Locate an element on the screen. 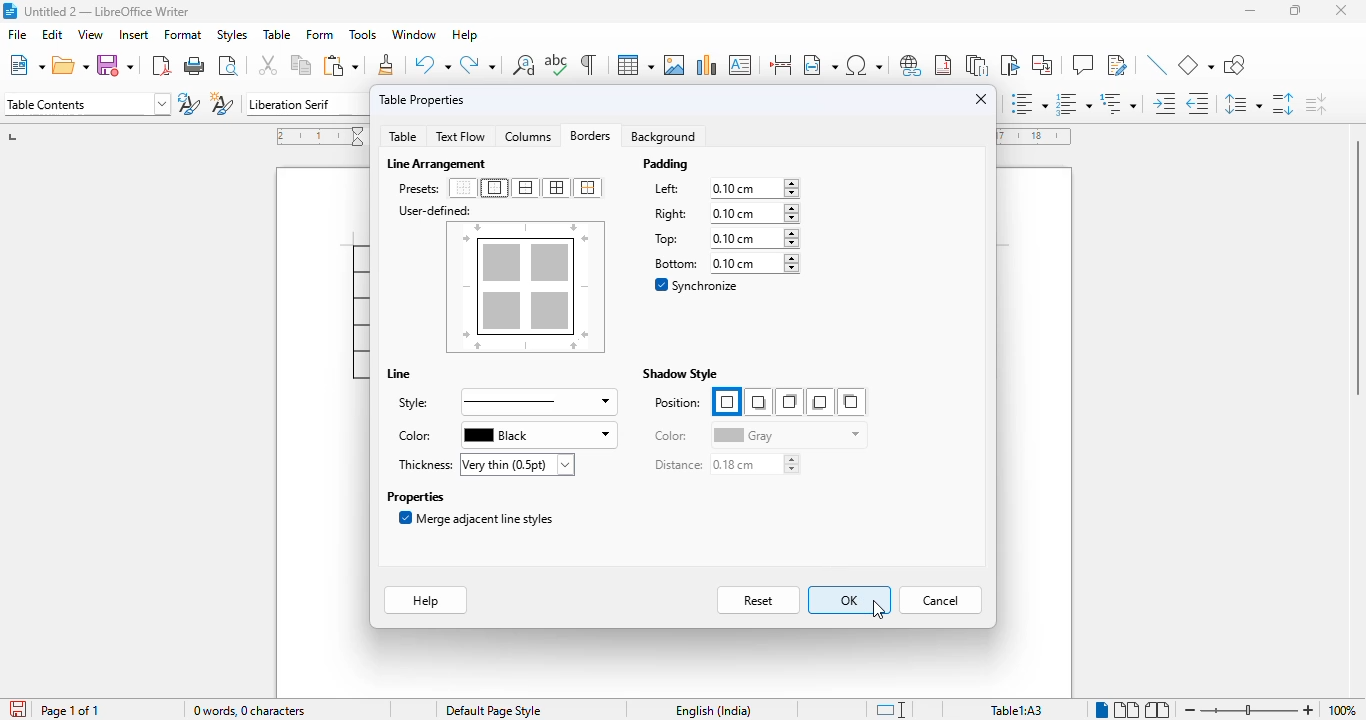 The image size is (1366, 720). show track changes functions is located at coordinates (1118, 65).